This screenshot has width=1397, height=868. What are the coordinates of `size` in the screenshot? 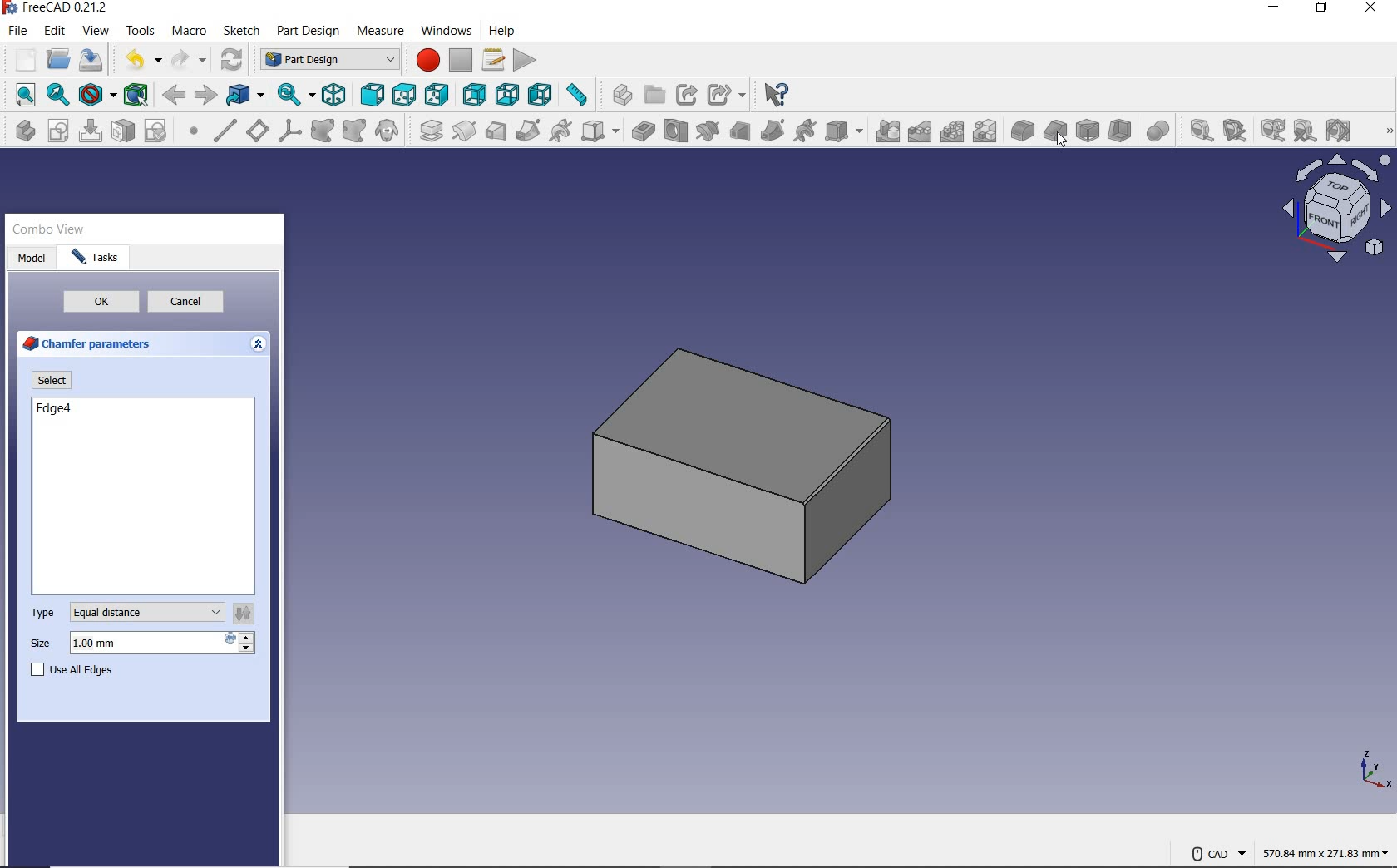 It's located at (44, 644).